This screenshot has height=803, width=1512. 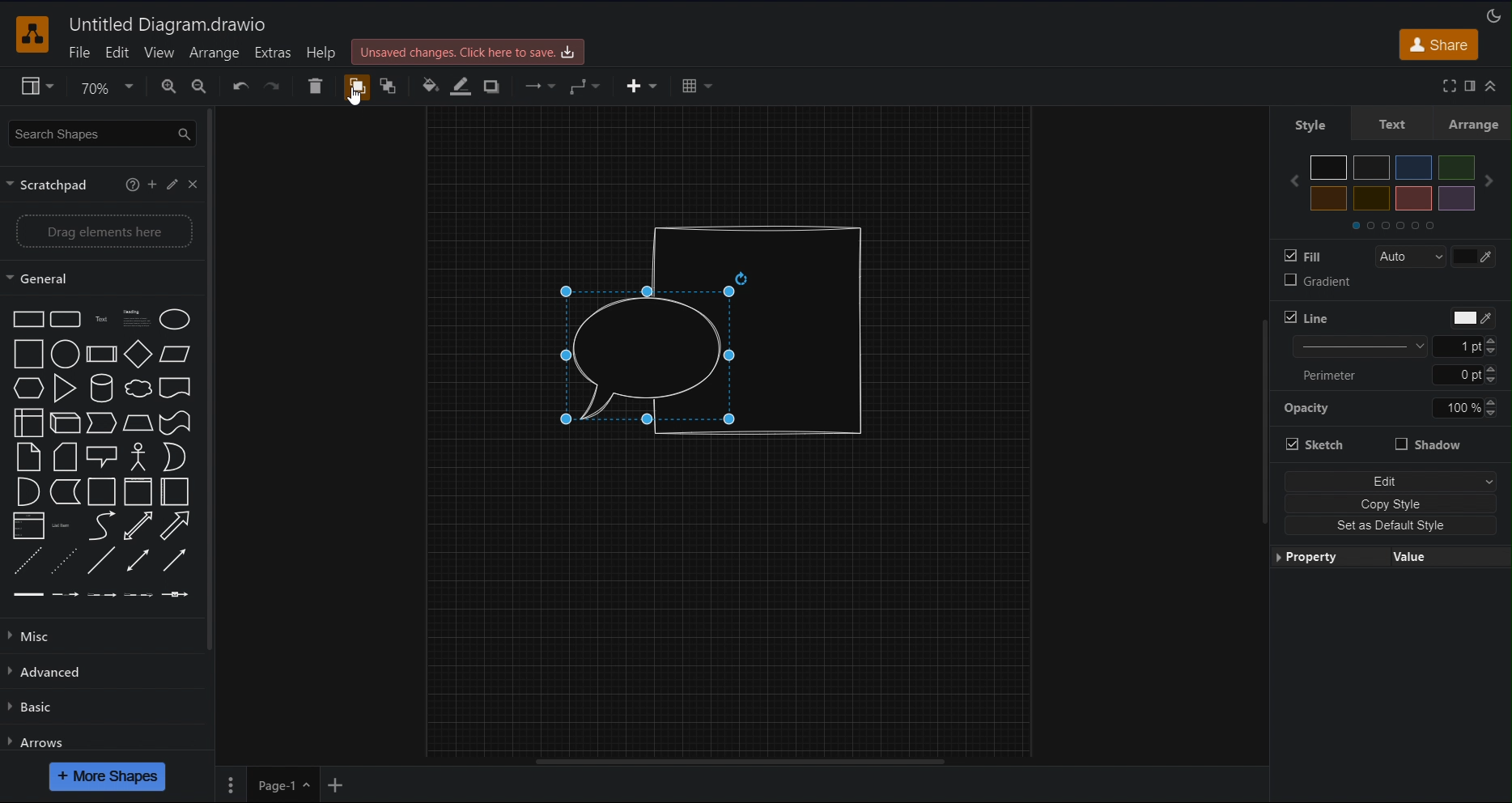 I want to click on Zoom, so click(x=105, y=86).